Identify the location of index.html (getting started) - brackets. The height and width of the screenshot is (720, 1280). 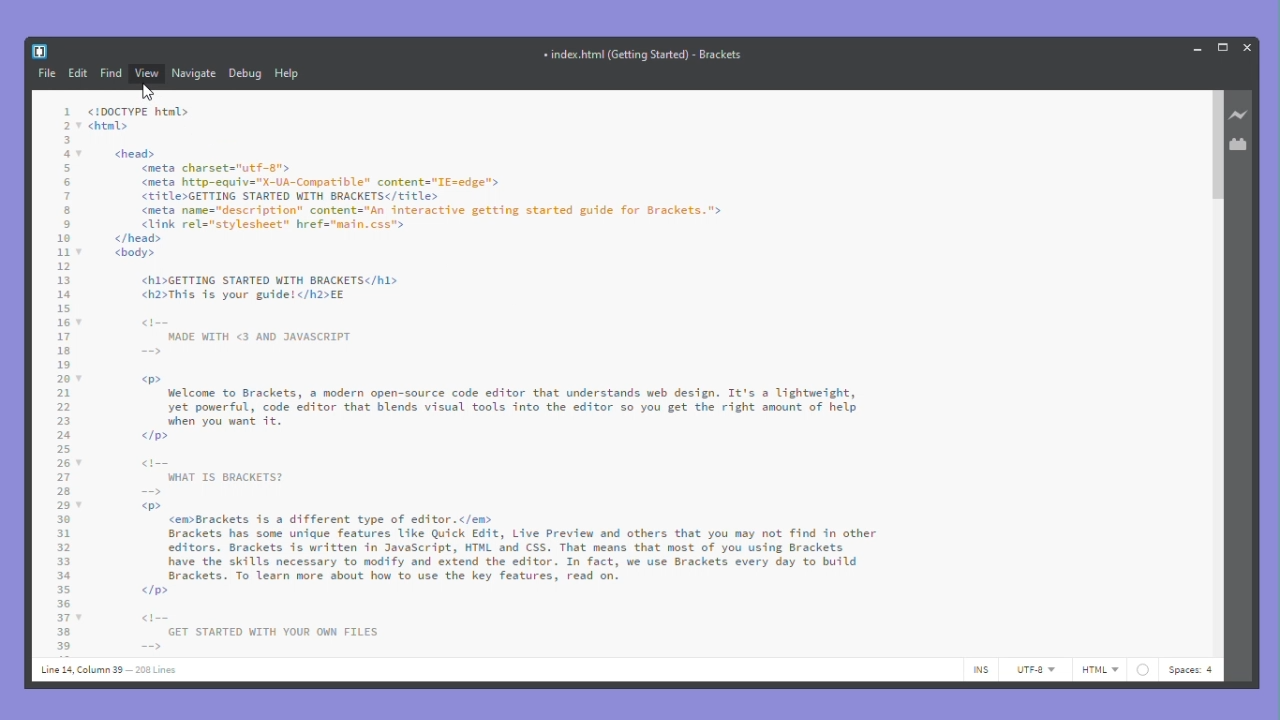
(650, 55).